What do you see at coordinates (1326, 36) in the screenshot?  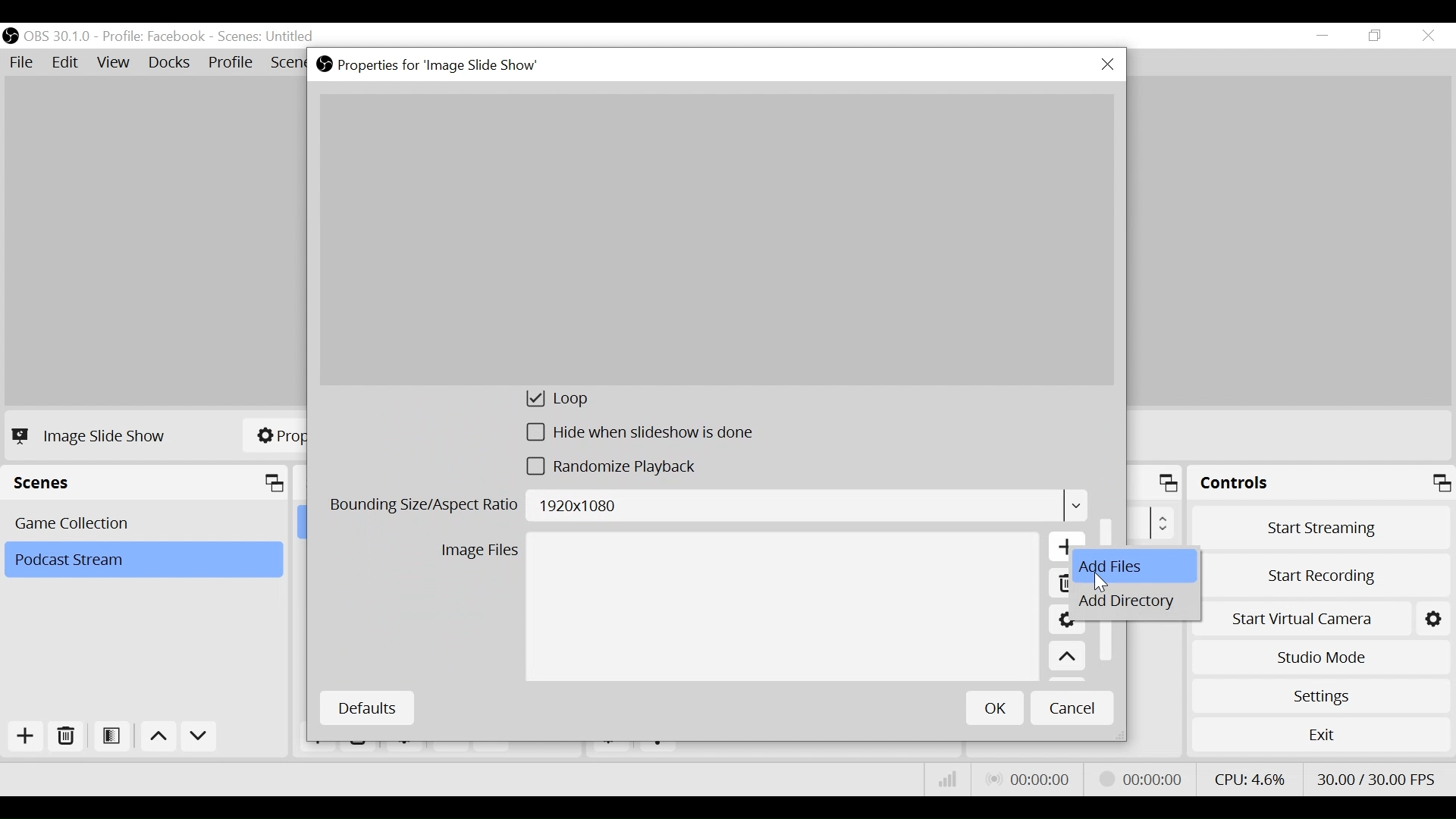 I see `minimize` at bounding box center [1326, 36].